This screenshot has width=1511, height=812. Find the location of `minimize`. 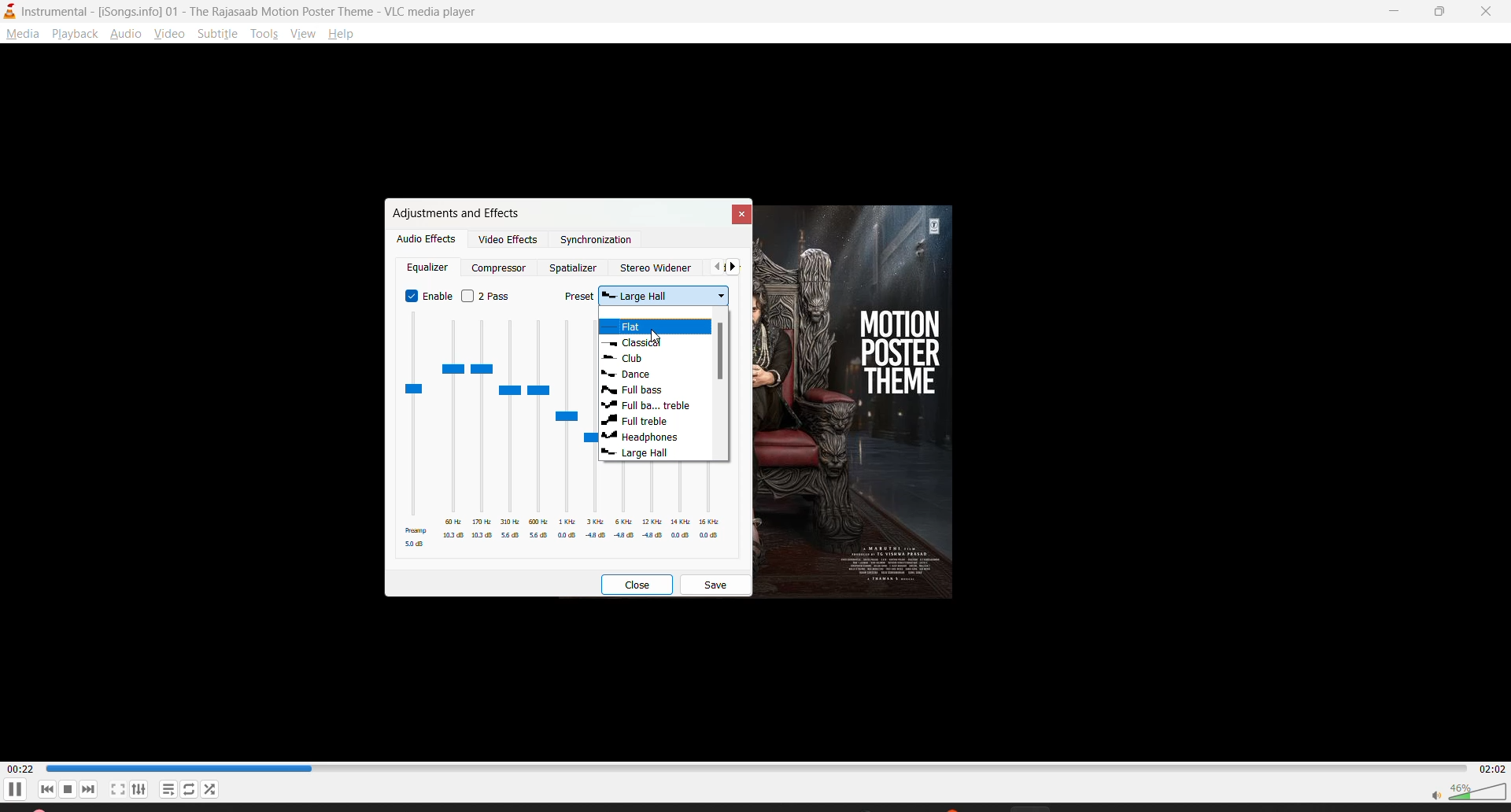

minimize is located at coordinates (1398, 11).